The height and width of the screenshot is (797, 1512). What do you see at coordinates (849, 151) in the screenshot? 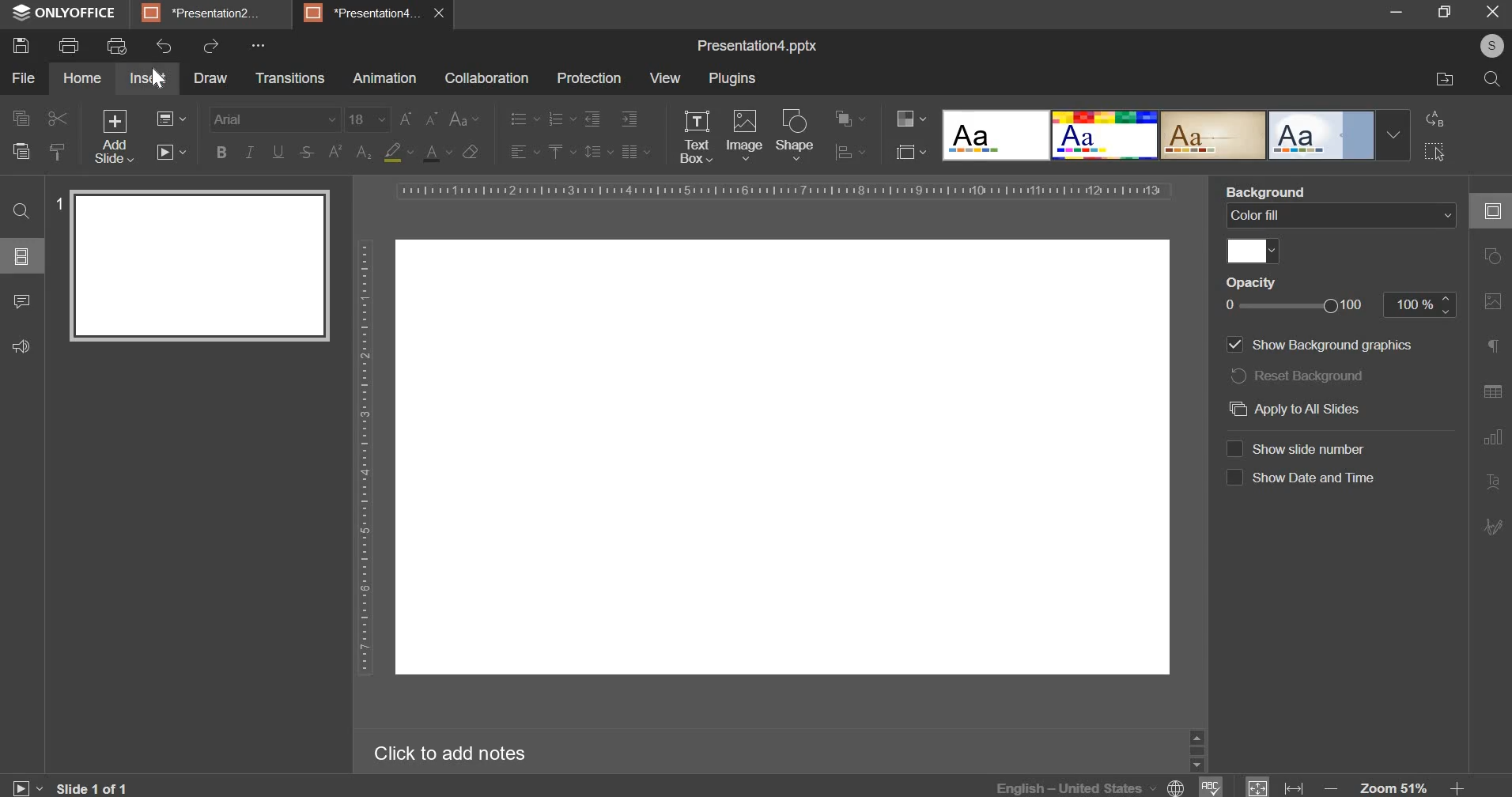
I see `align shape` at bounding box center [849, 151].